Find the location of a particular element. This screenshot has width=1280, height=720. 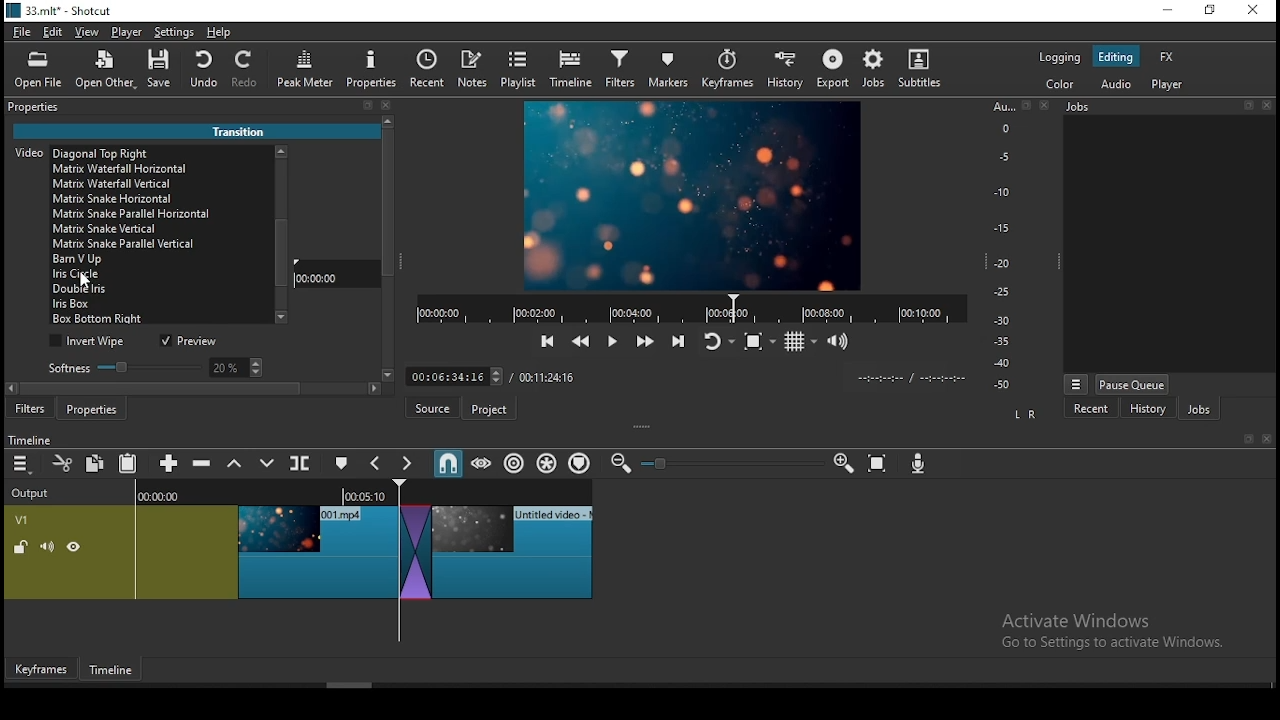

 is located at coordinates (921, 466).